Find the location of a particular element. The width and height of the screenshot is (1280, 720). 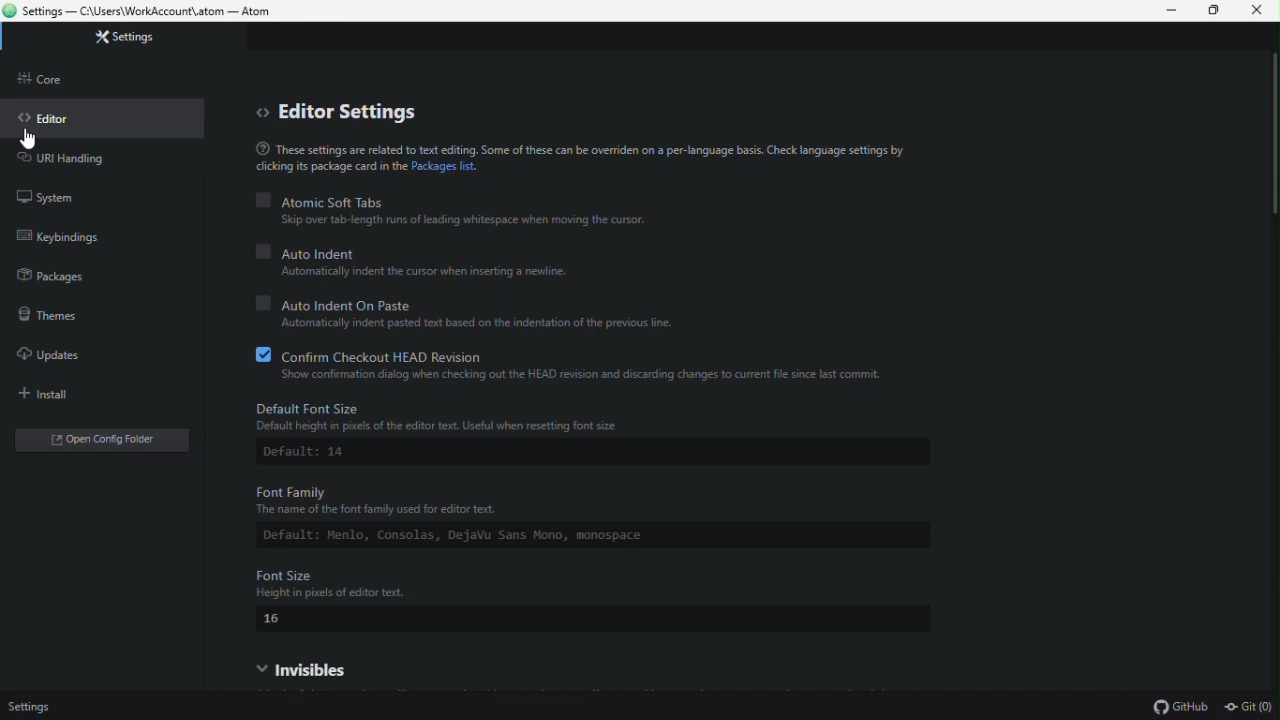

URL handling is located at coordinates (83, 159).